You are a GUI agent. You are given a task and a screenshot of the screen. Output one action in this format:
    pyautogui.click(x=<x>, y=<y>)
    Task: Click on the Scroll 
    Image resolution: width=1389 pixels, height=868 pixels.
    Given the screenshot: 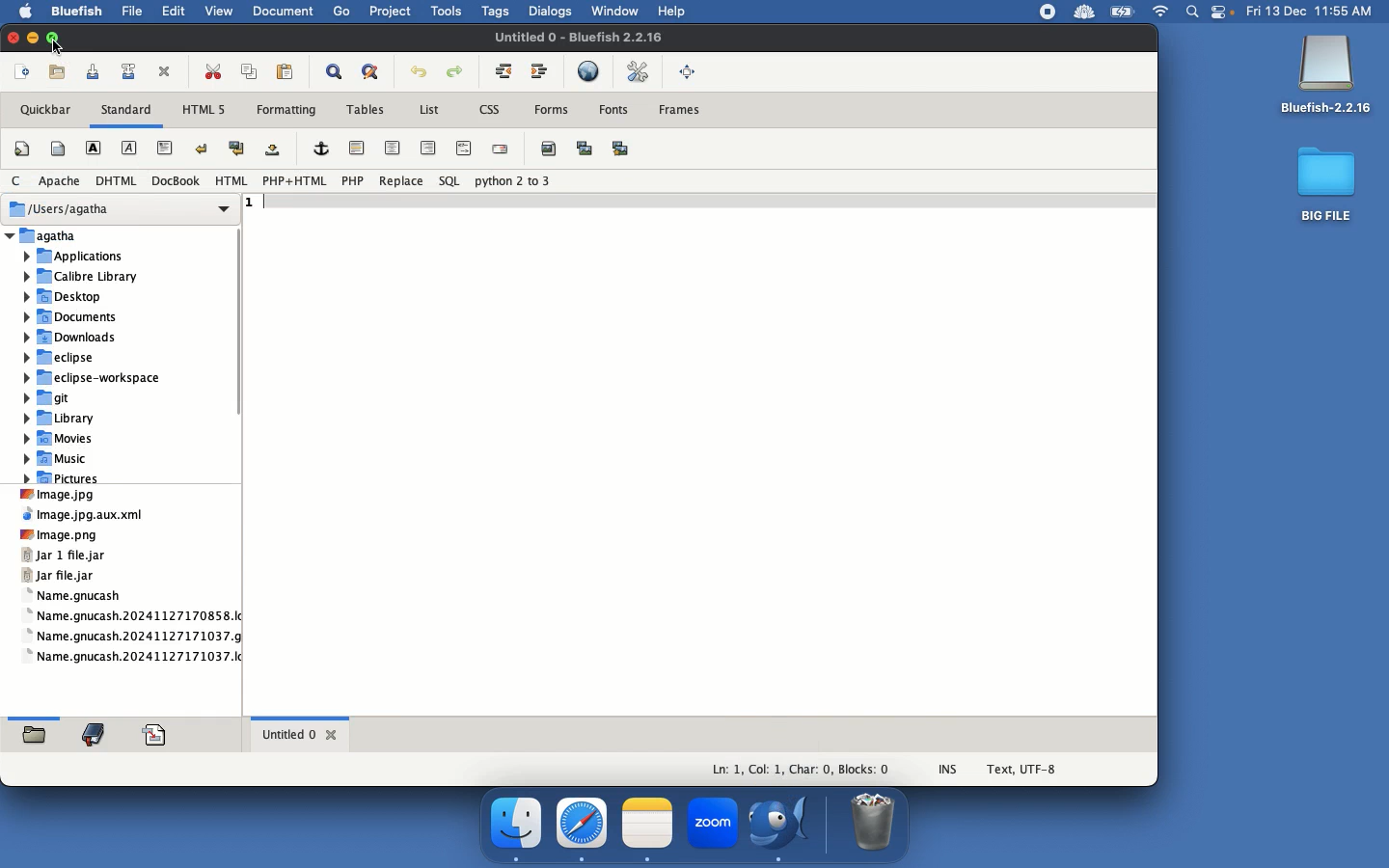 What is the action you would take?
    pyautogui.click(x=251, y=312)
    